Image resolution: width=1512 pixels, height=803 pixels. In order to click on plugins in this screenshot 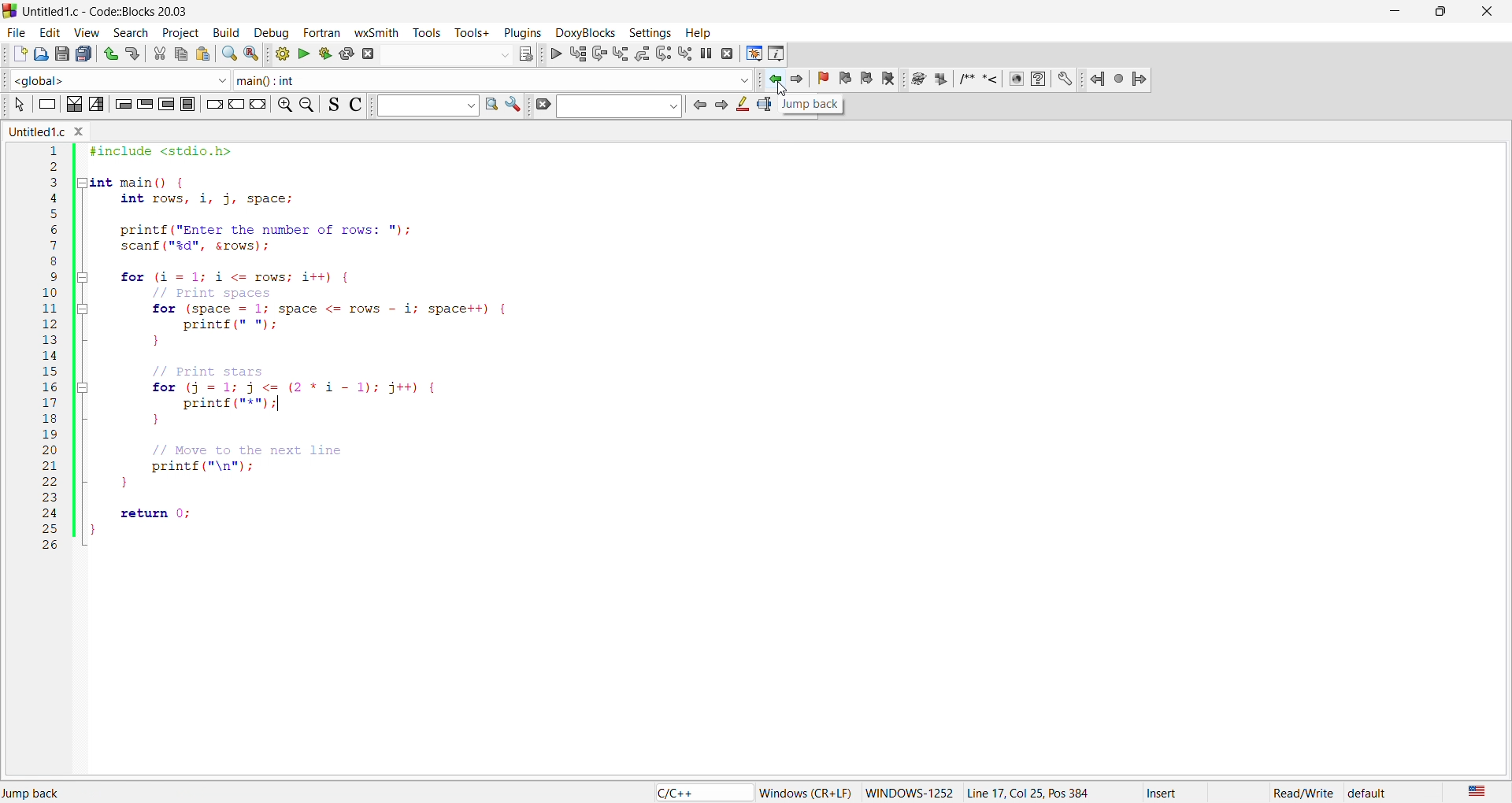, I will do `click(522, 31)`.